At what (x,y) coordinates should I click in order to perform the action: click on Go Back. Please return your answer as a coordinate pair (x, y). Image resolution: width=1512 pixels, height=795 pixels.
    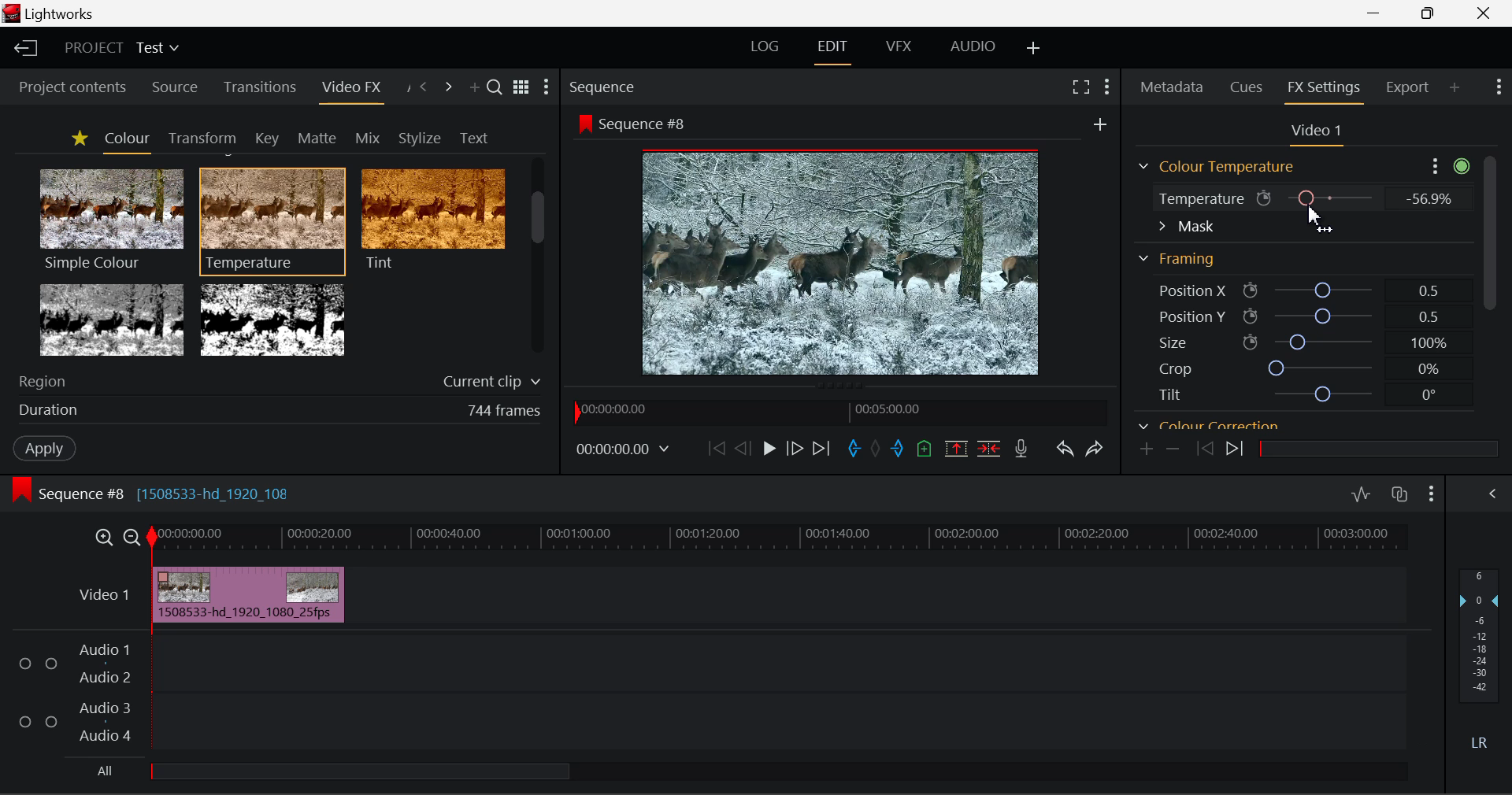
    Looking at the image, I should click on (743, 449).